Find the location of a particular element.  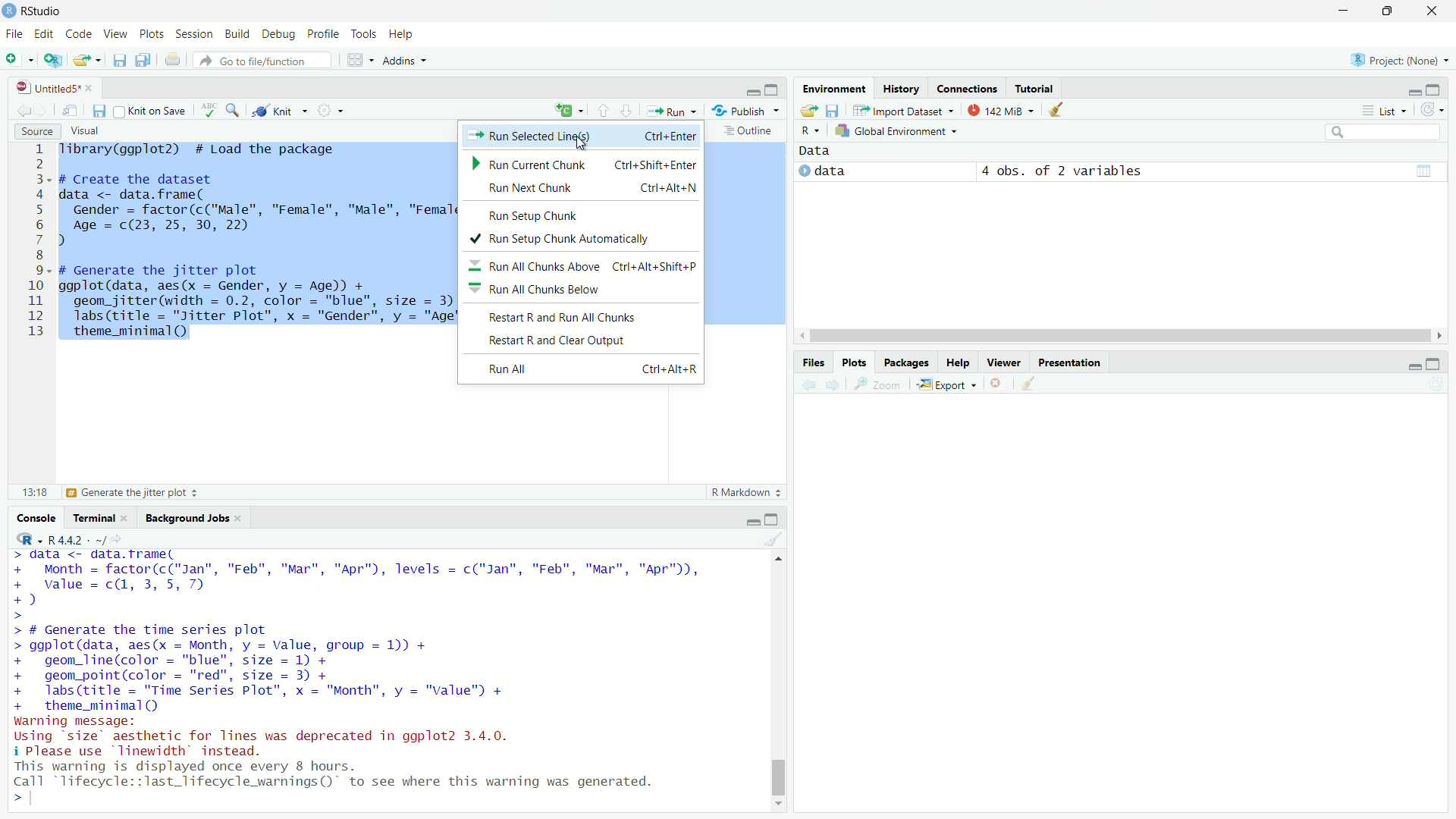

Restart R and Clear Output is located at coordinates (578, 340).